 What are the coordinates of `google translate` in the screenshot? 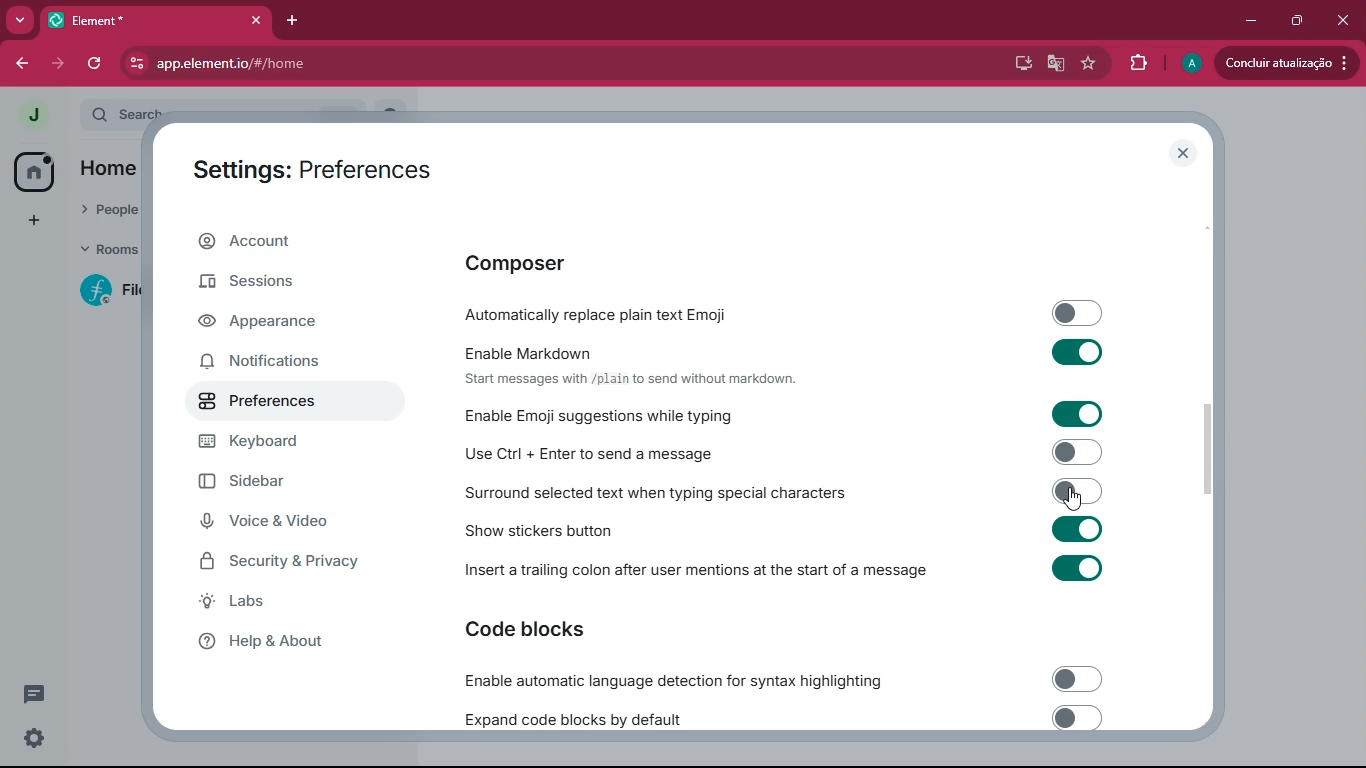 It's located at (1054, 65).